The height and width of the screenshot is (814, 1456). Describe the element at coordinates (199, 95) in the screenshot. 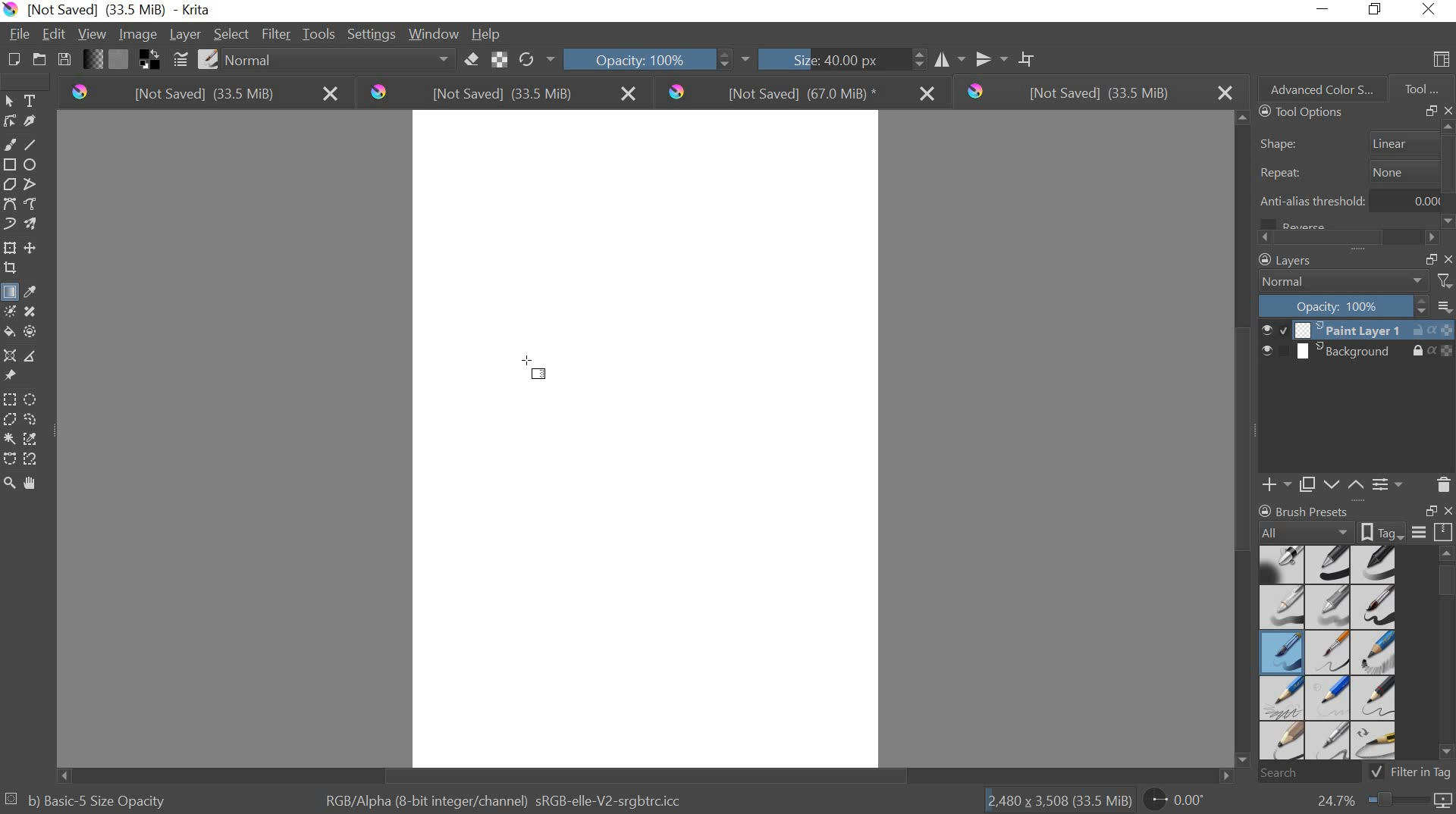

I see `[not saved] (33.5 mb)` at that location.